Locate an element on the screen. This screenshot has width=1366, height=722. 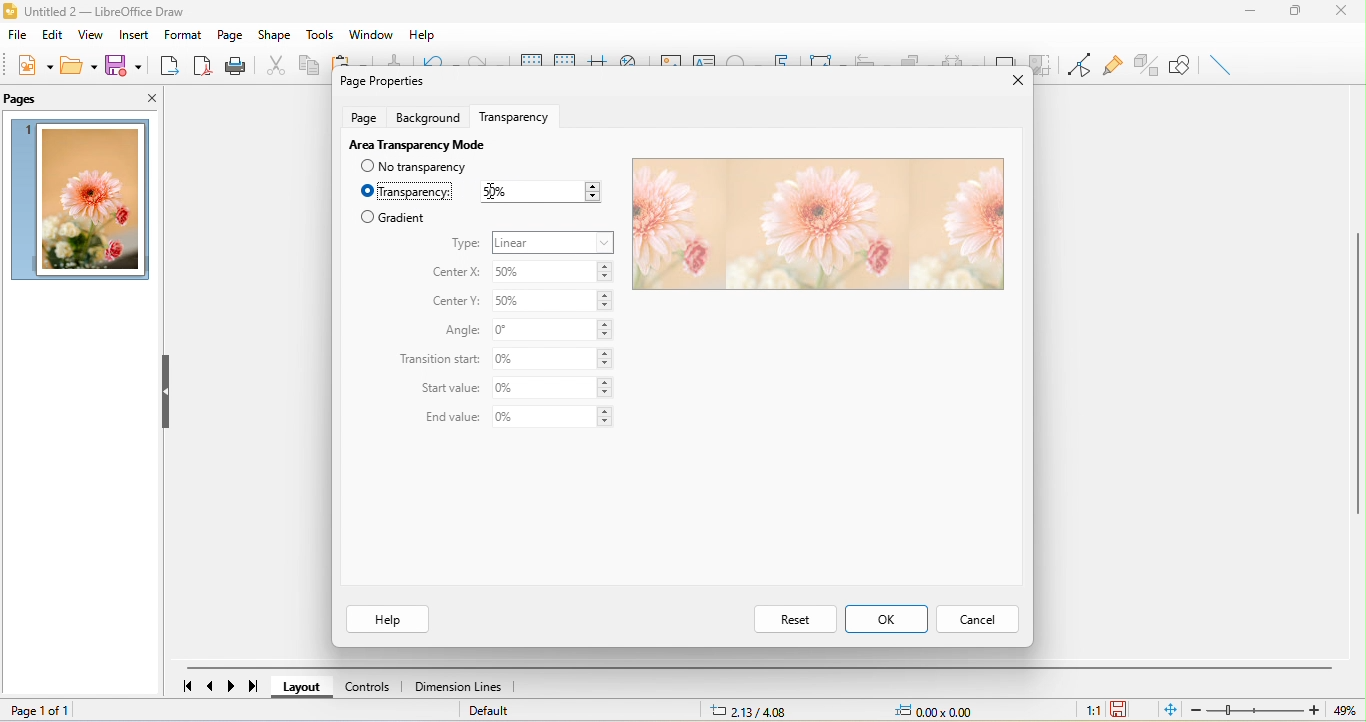
horizontal scroll bar is located at coordinates (759, 668).